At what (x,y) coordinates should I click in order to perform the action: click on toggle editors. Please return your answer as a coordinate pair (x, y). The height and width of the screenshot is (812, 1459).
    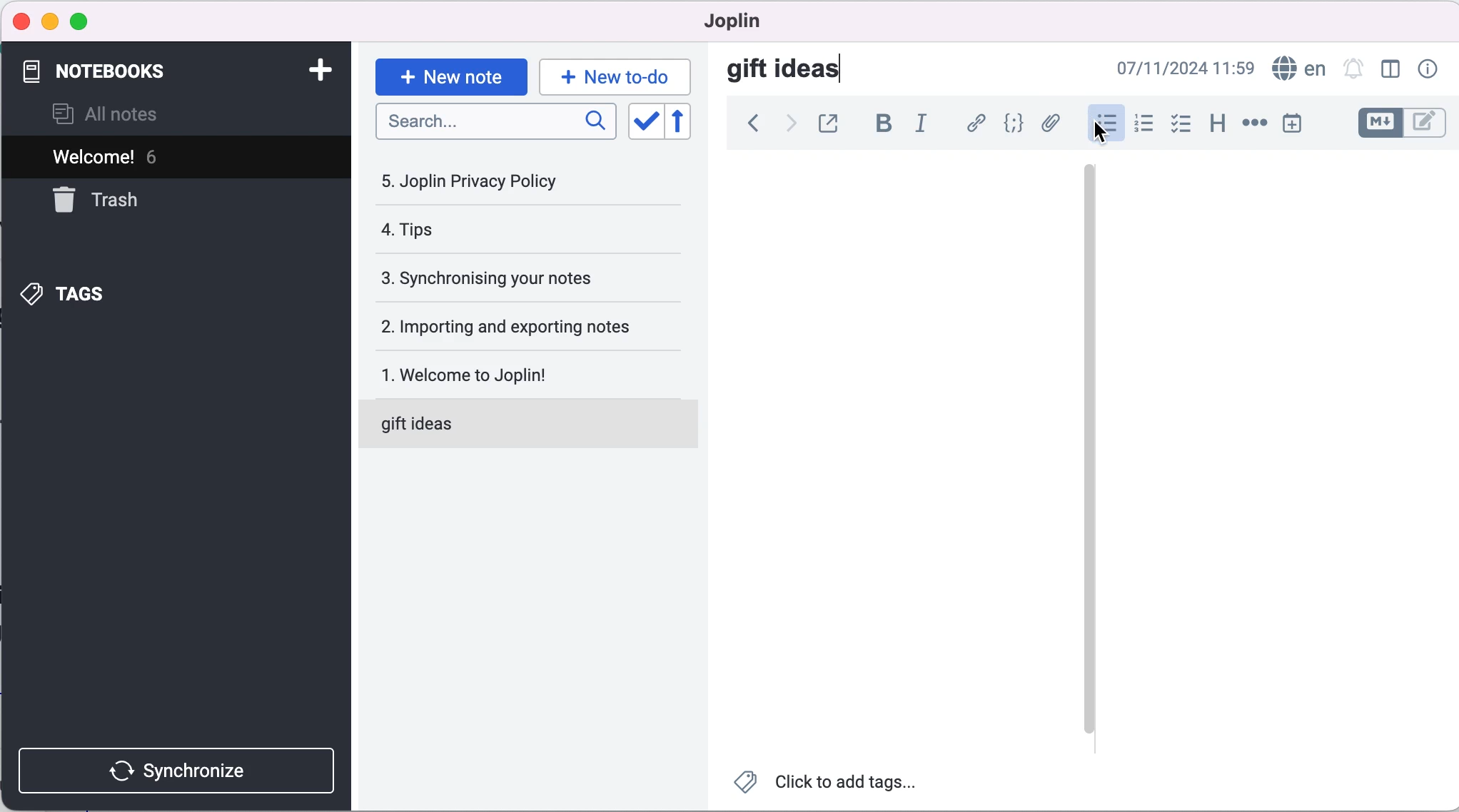
    Looking at the image, I should click on (1400, 123).